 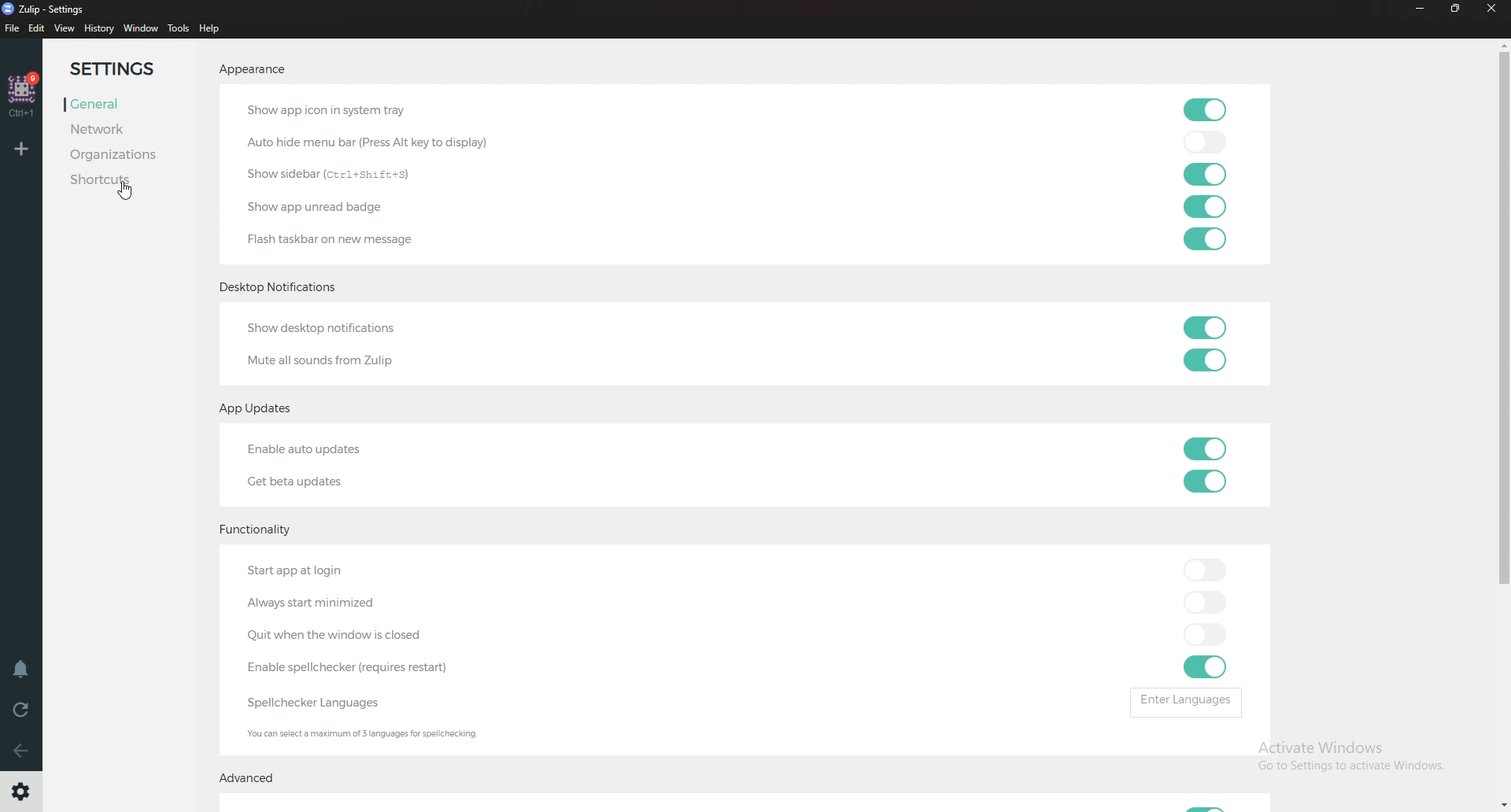 What do you see at coordinates (1206, 328) in the screenshot?
I see `toggle` at bounding box center [1206, 328].